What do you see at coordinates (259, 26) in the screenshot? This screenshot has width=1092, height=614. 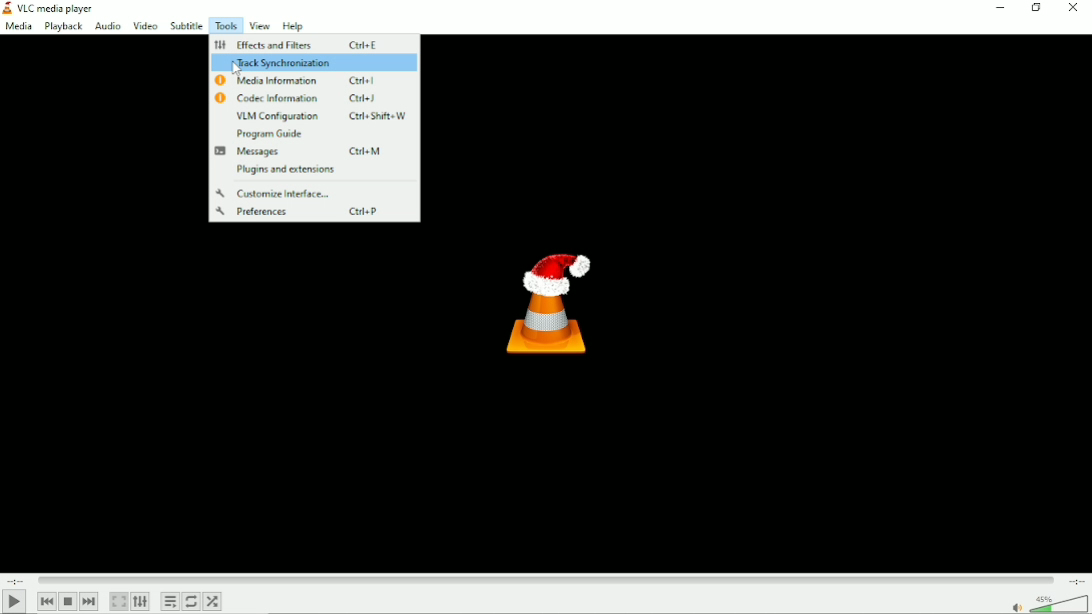 I see `View` at bounding box center [259, 26].